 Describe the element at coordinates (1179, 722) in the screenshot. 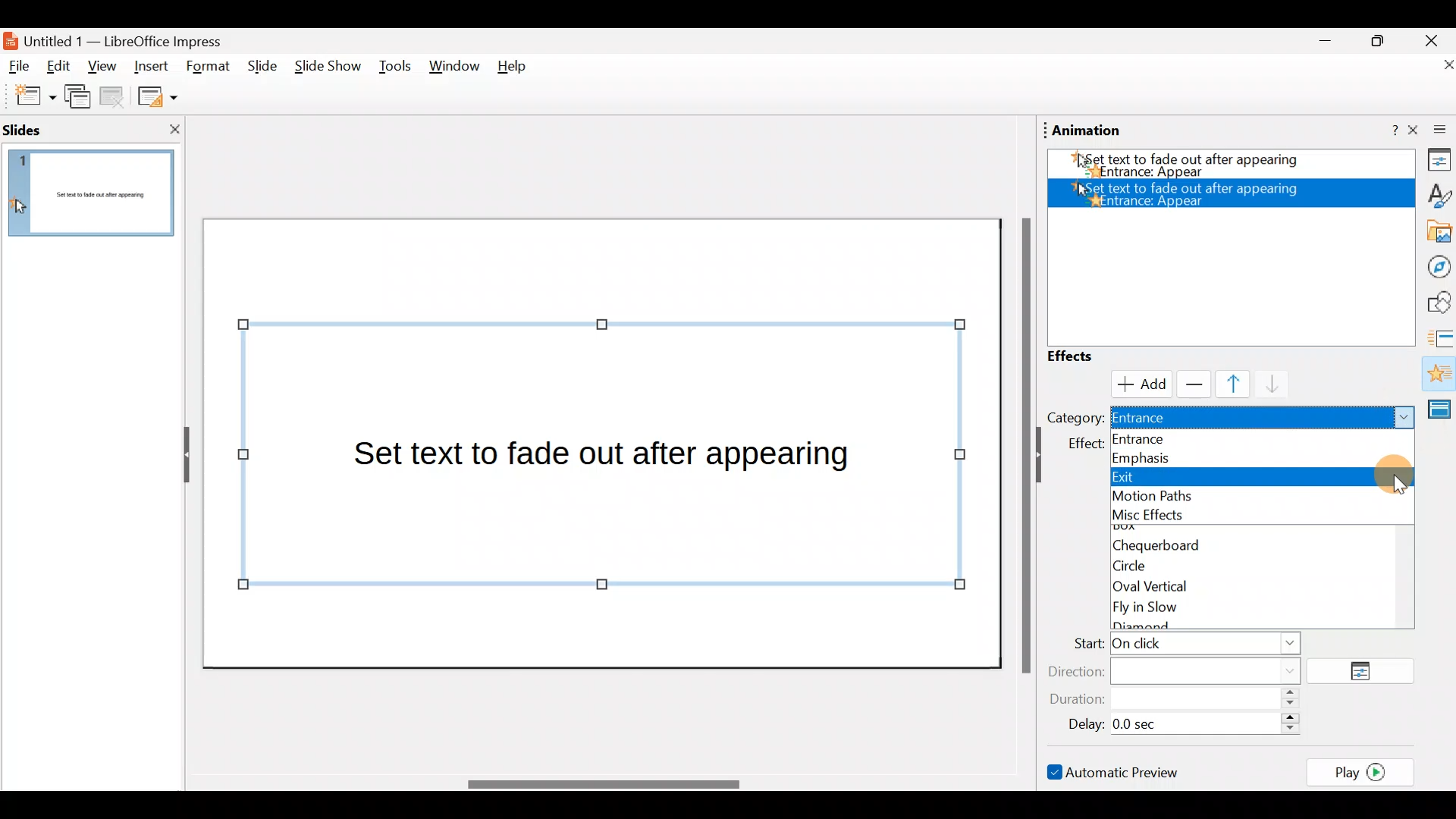

I see `Delay` at that location.